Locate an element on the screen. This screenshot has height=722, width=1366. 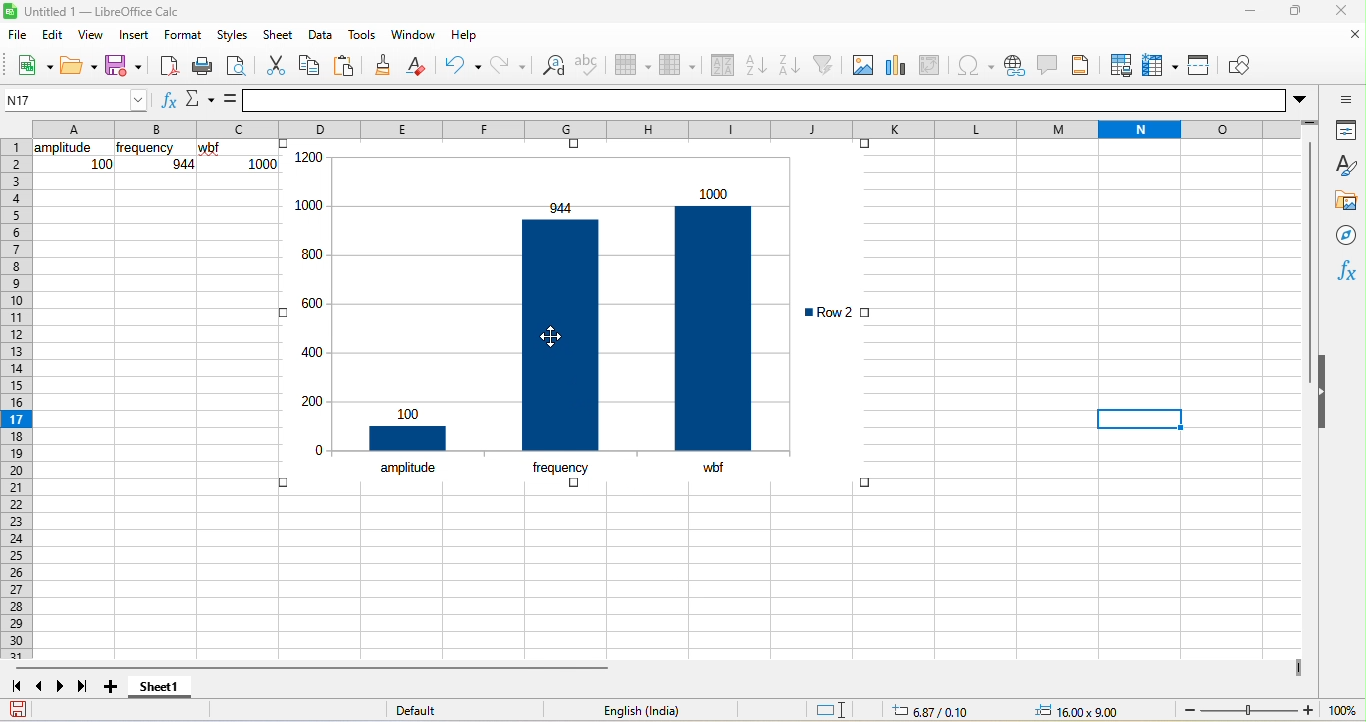
check spelling is located at coordinates (589, 66).